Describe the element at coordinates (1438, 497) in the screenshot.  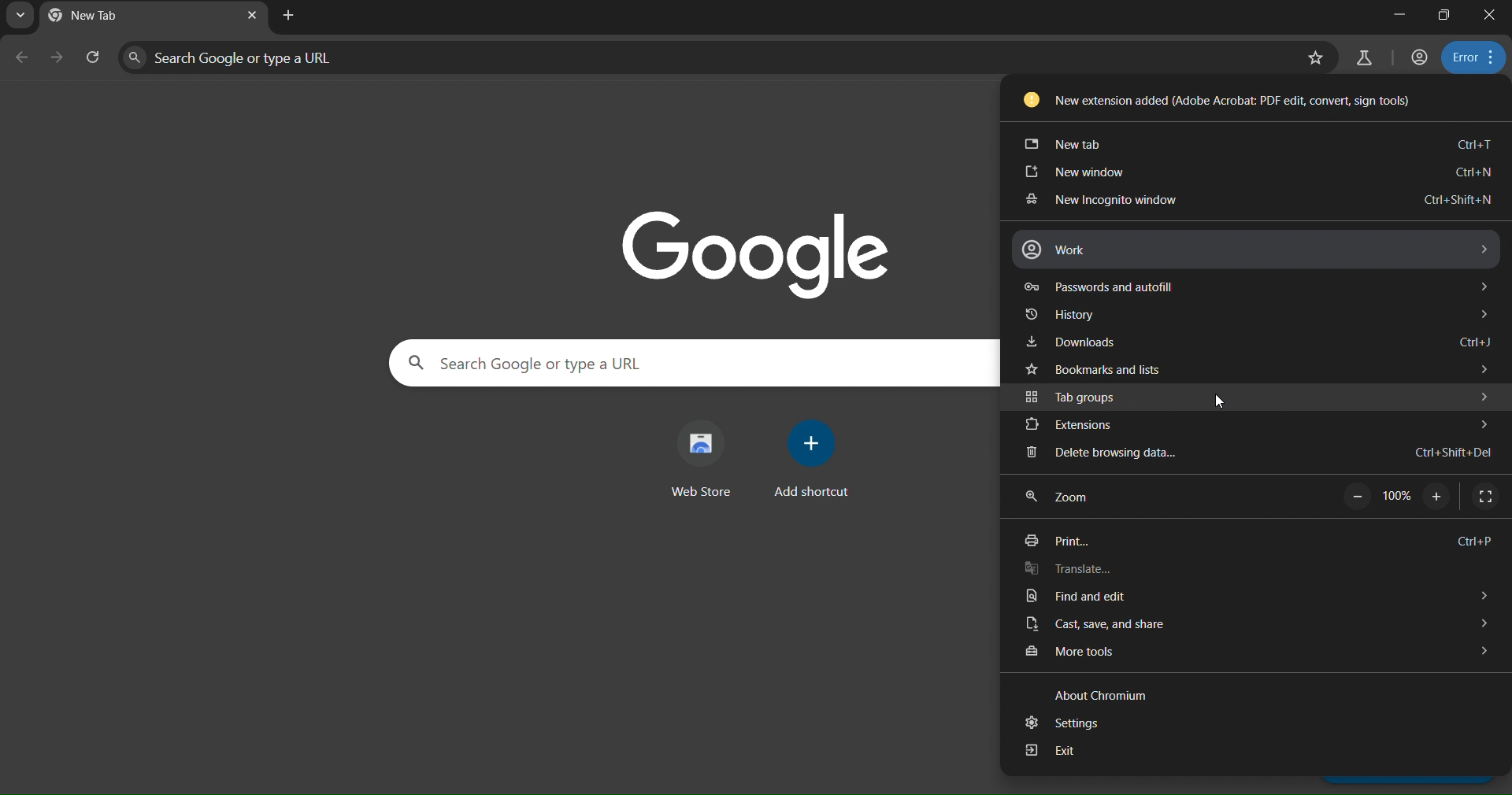
I see `zoom on` at that location.